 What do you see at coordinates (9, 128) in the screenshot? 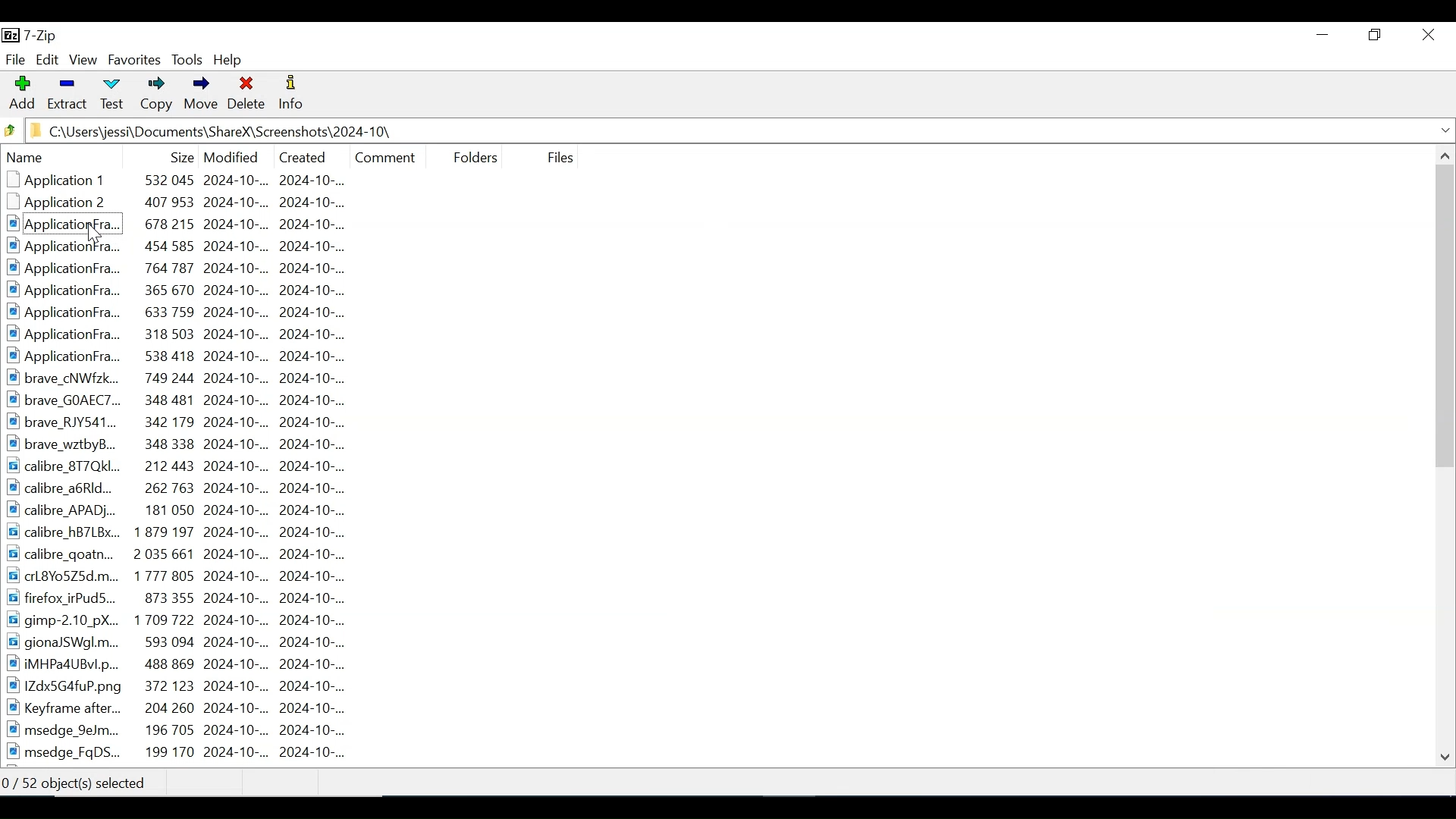
I see `Click to Browse back` at bounding box center [9, 128].